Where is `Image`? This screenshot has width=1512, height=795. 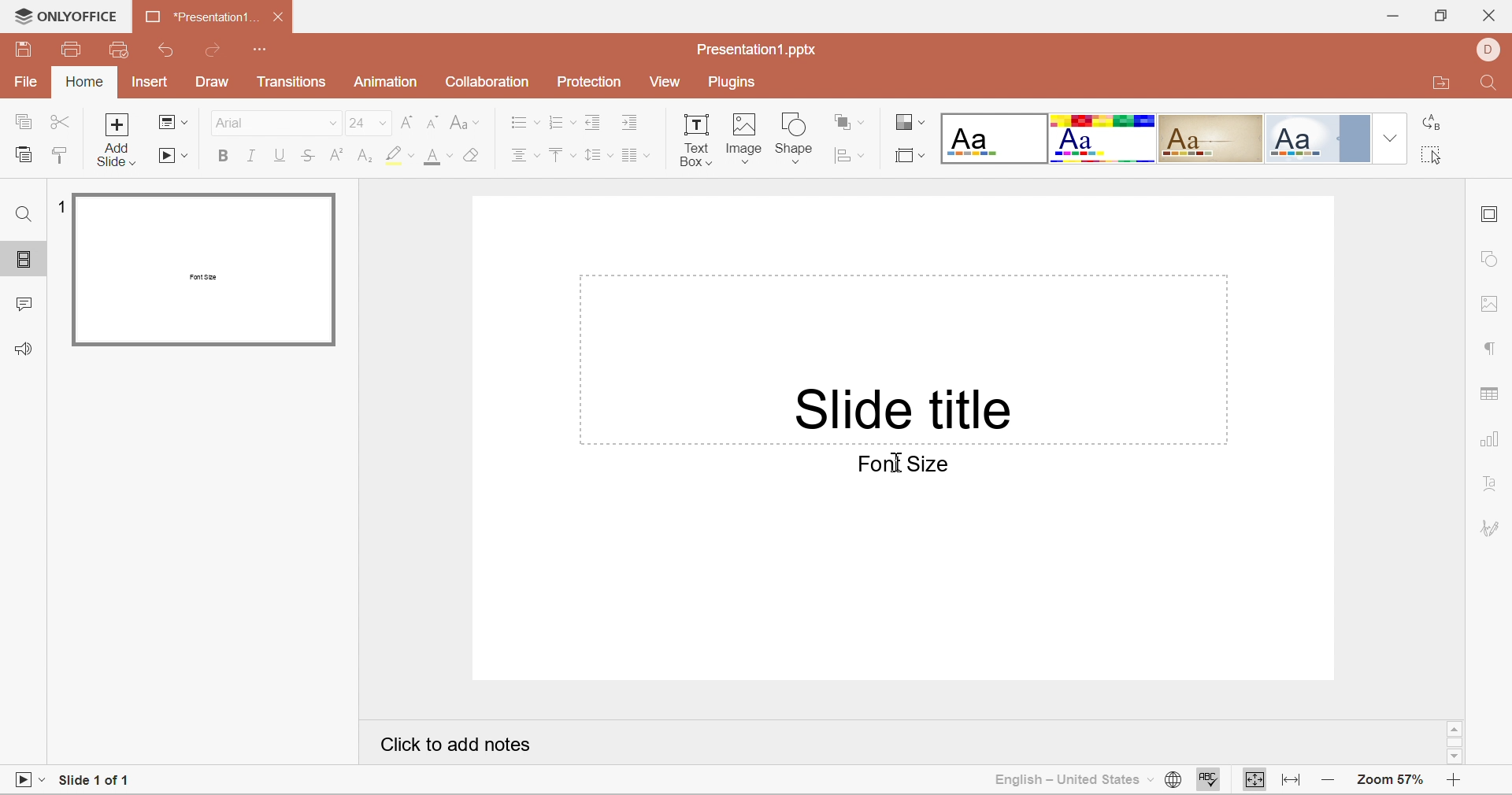 Image is located at coordinates (746, 138).